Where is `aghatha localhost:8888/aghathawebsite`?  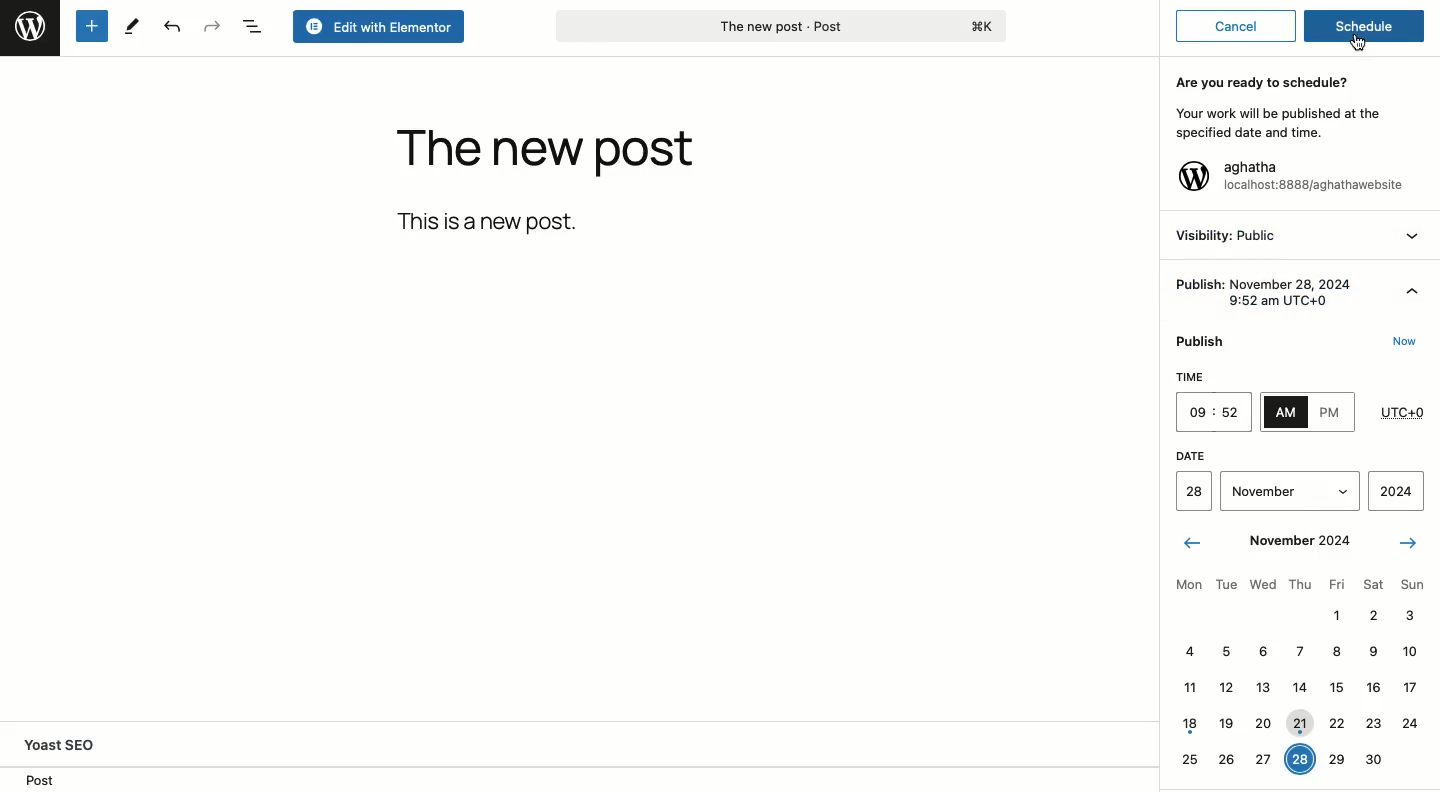 aghatha localhost:8888/aghathawebsite is located at coordinates (1314, 178).